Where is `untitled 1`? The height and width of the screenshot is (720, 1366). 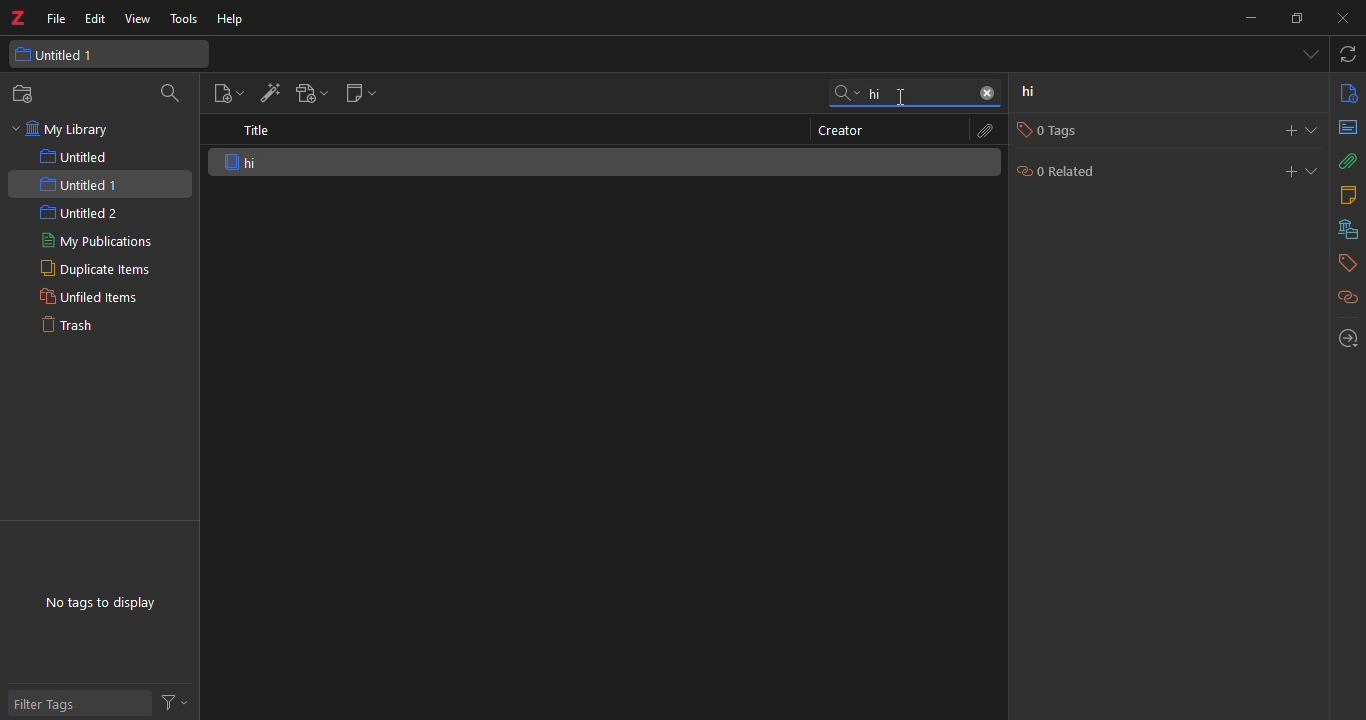
untitled 1 is located at coordinates (80, 185).